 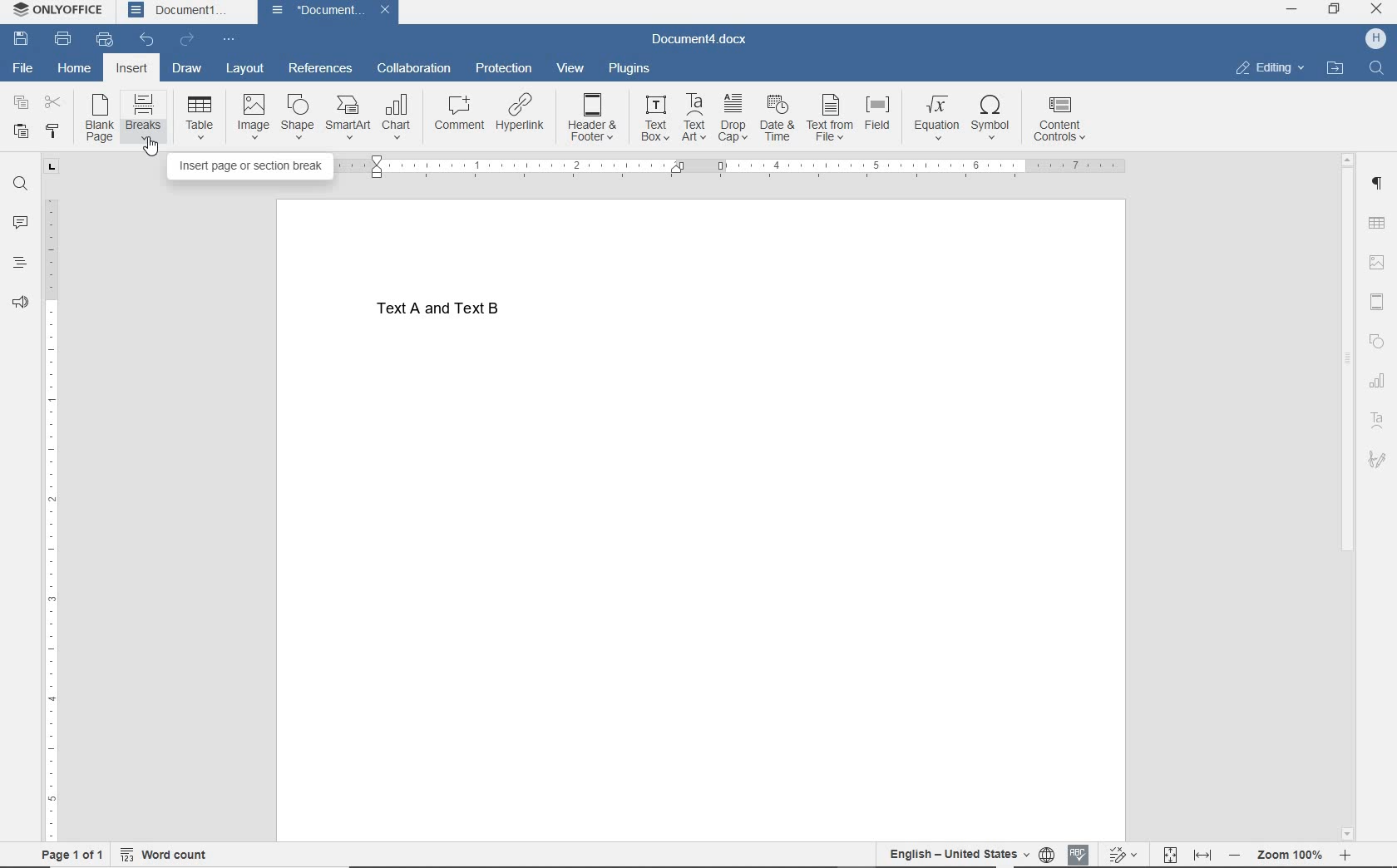 What do you see at coordinates (105, 41) in the screenshot?
I see `QUICK PRINT` at bounding box center [105, 41].